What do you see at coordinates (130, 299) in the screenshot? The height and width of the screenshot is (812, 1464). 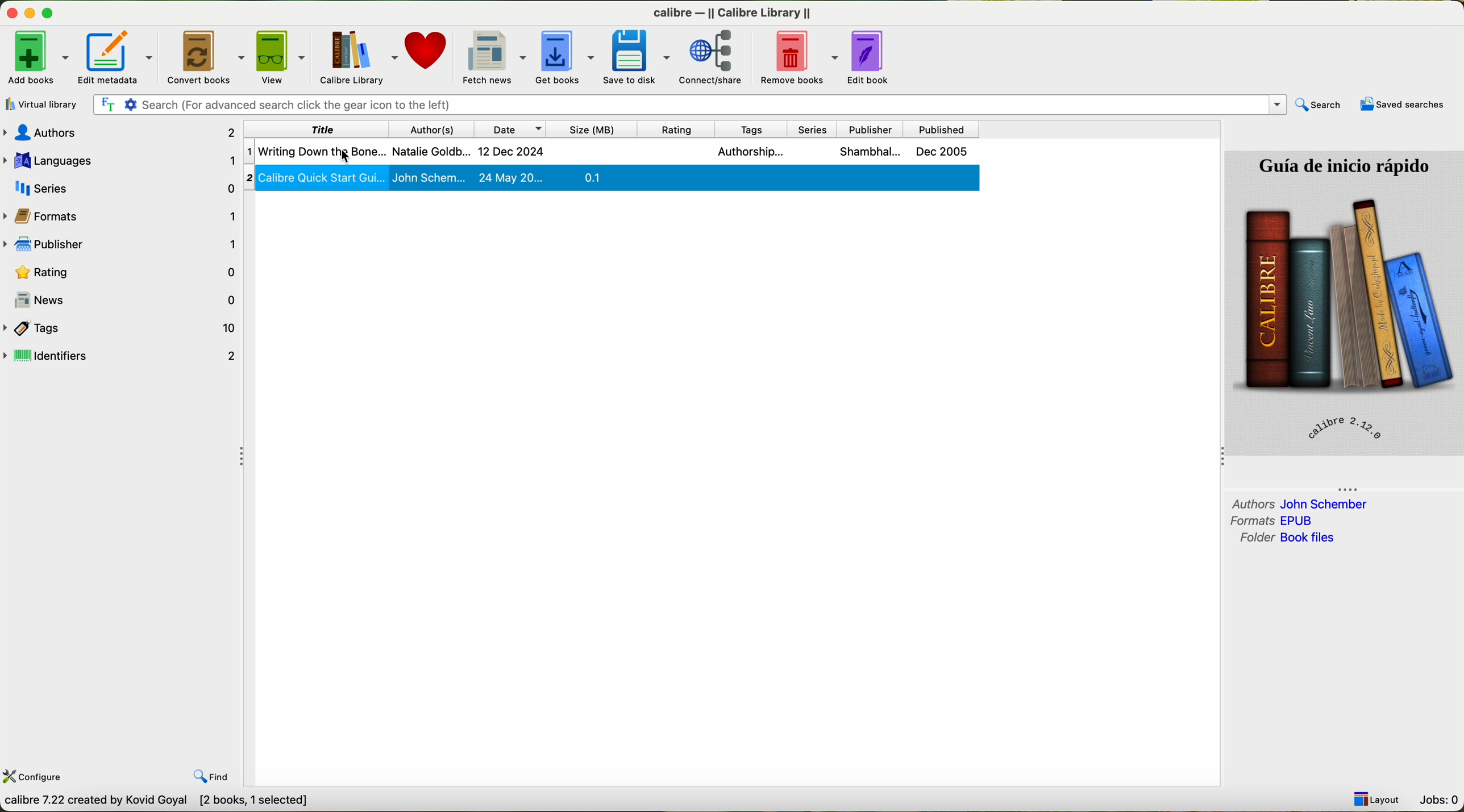 I see `news` at bounding box center [130, 299].